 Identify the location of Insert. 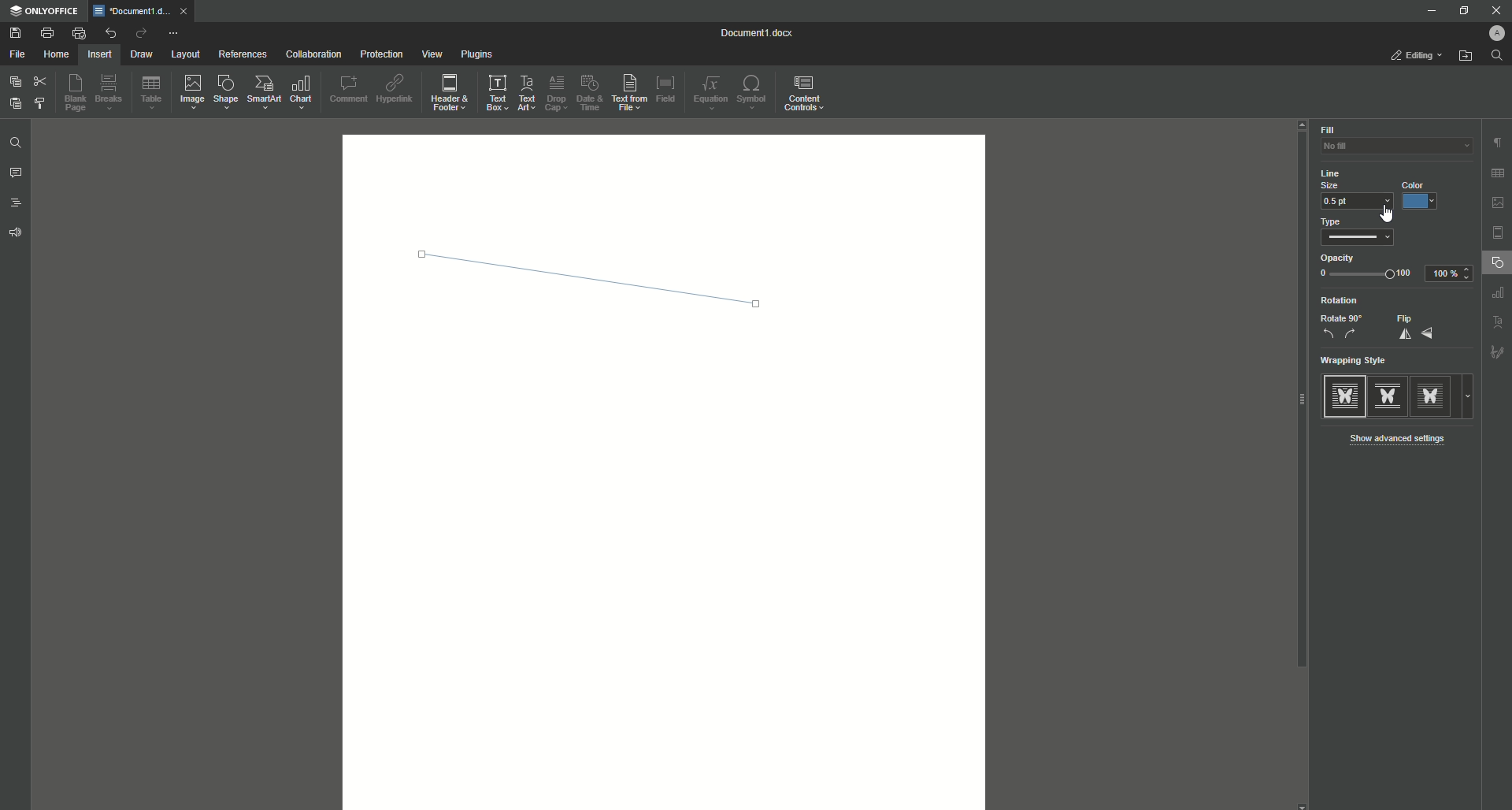
(98, 54).